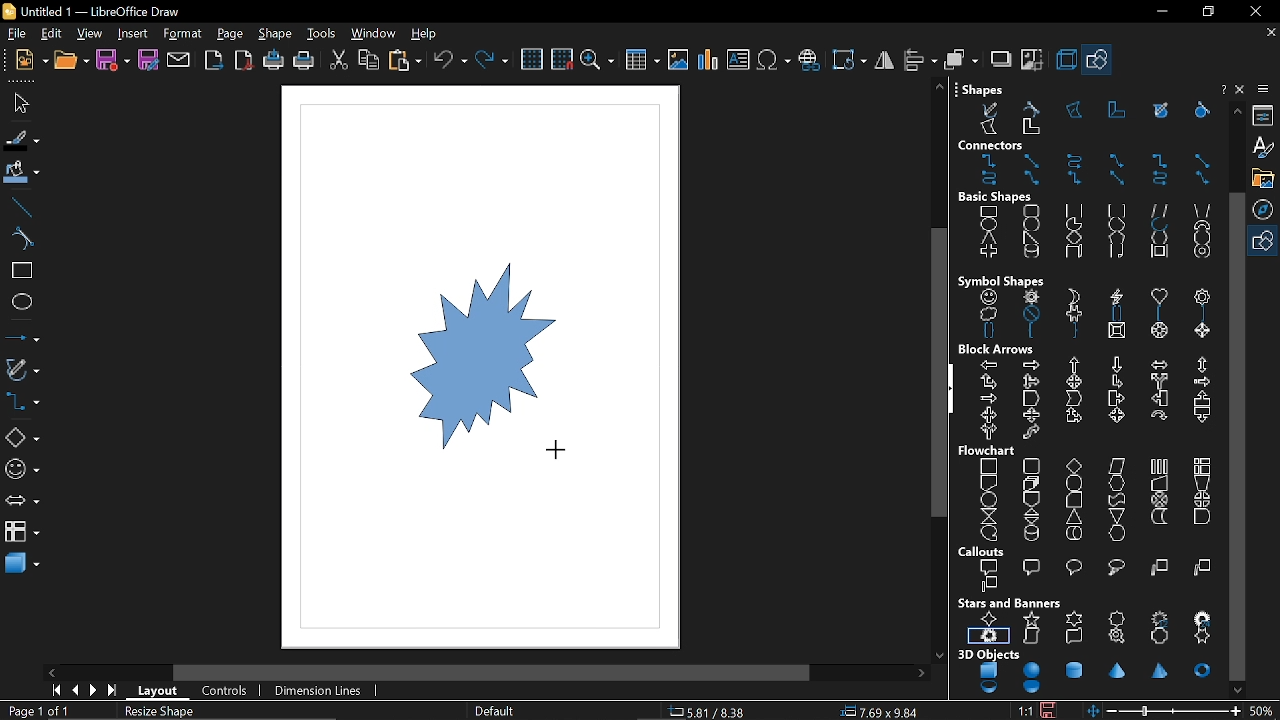 This screenshot has width=1280, height=720. I want to click on Move left, so click(51, 672).